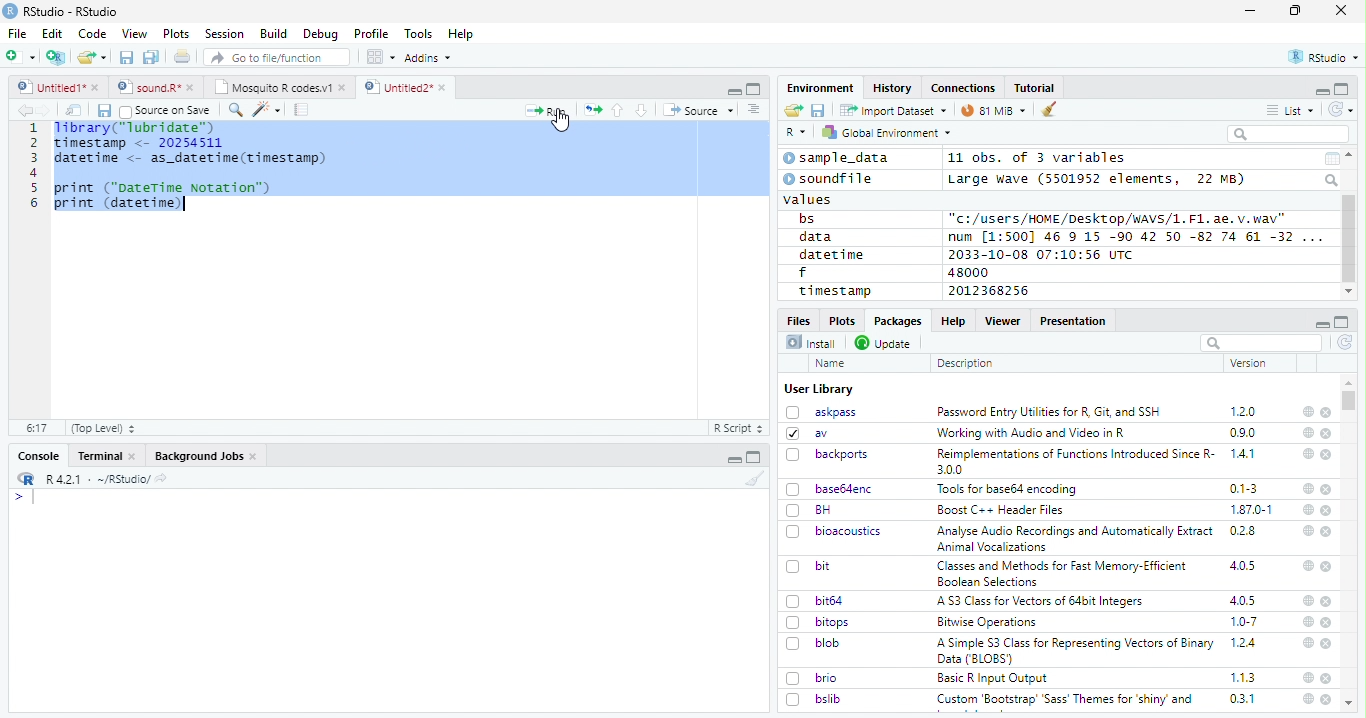  I want to click on Save all the open documents, so click(152, 58).